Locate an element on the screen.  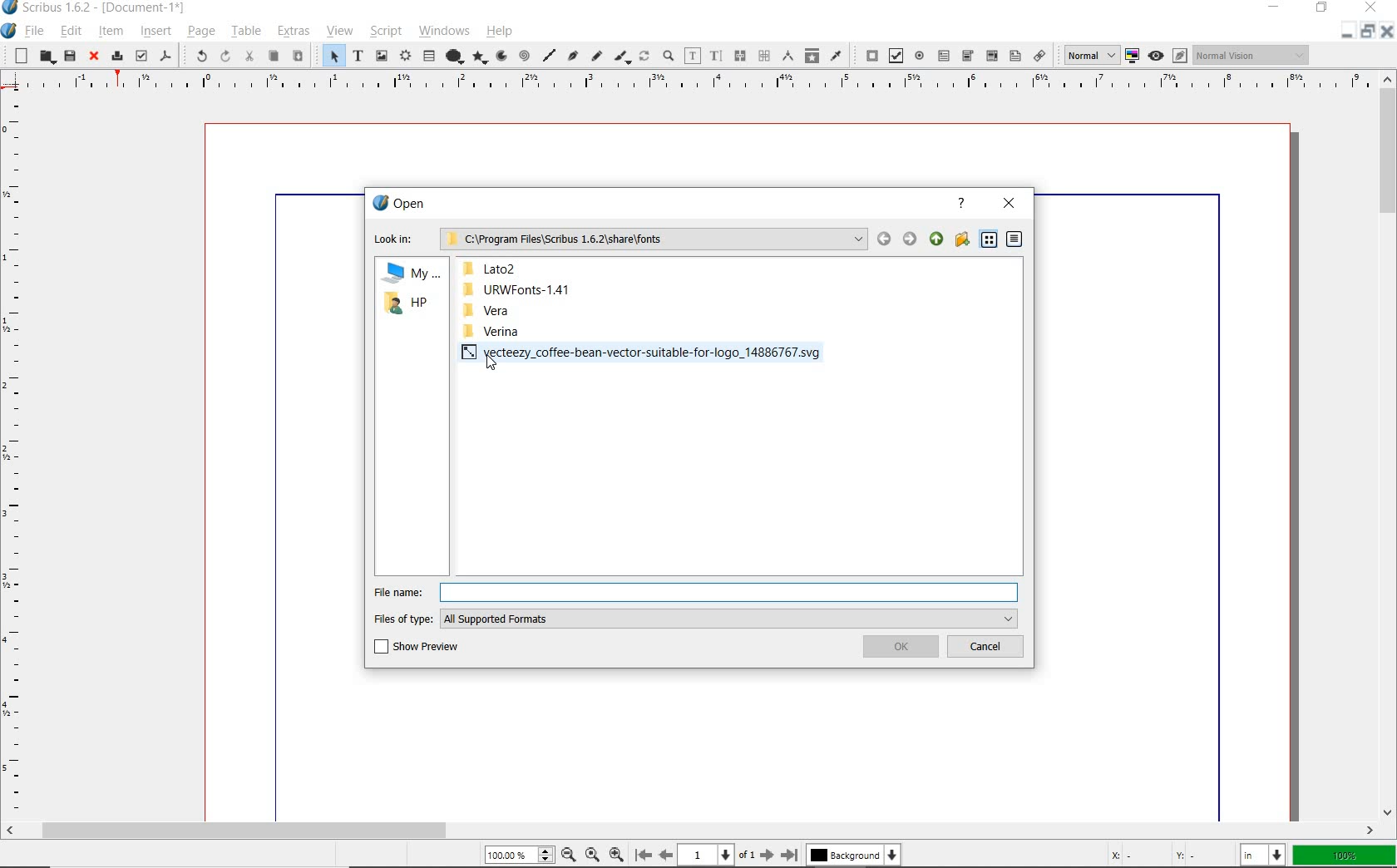
pdf text field is located at coordinates (944, 55).